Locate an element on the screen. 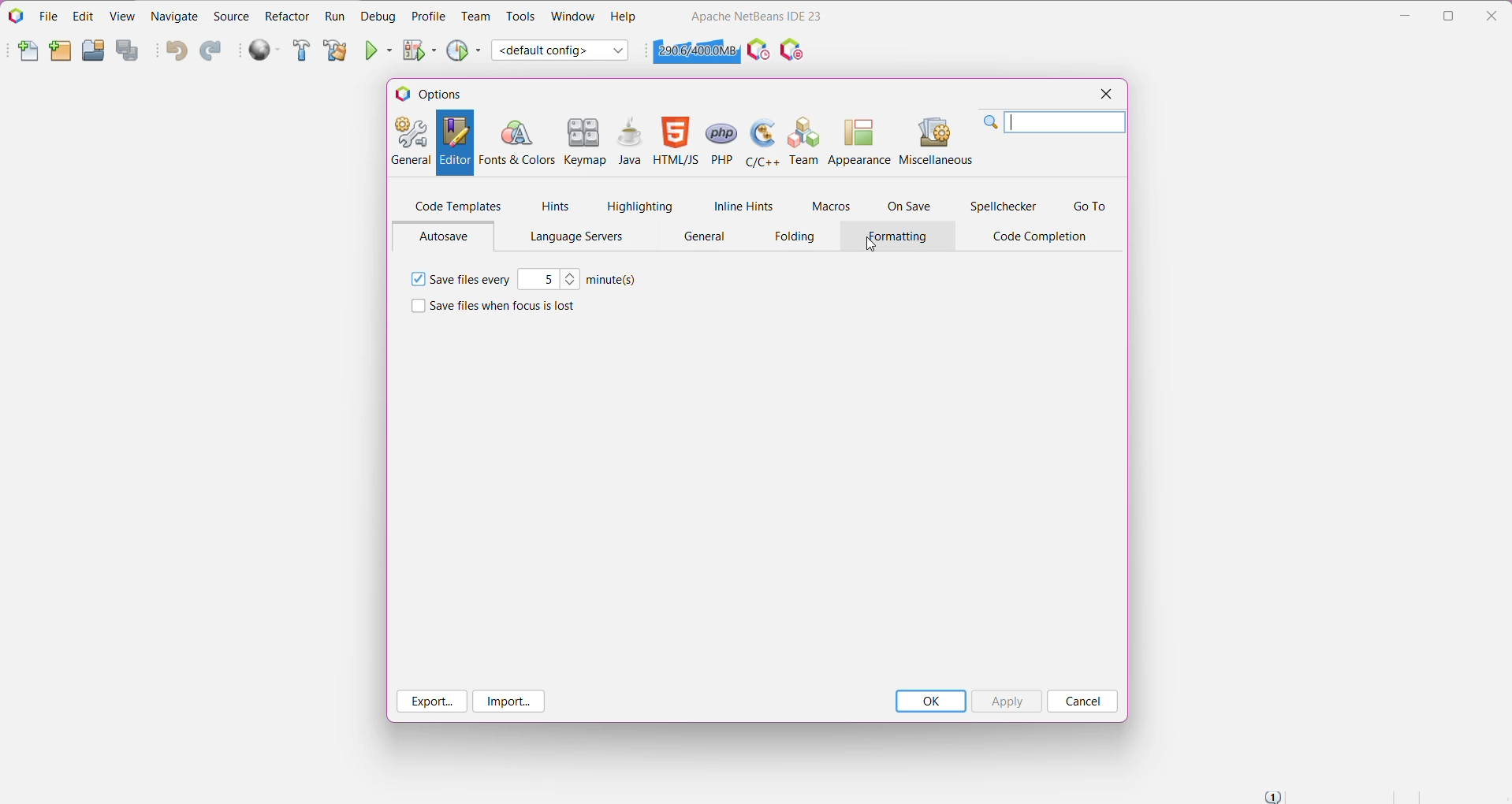  5 is located at coordinates (539, 279).